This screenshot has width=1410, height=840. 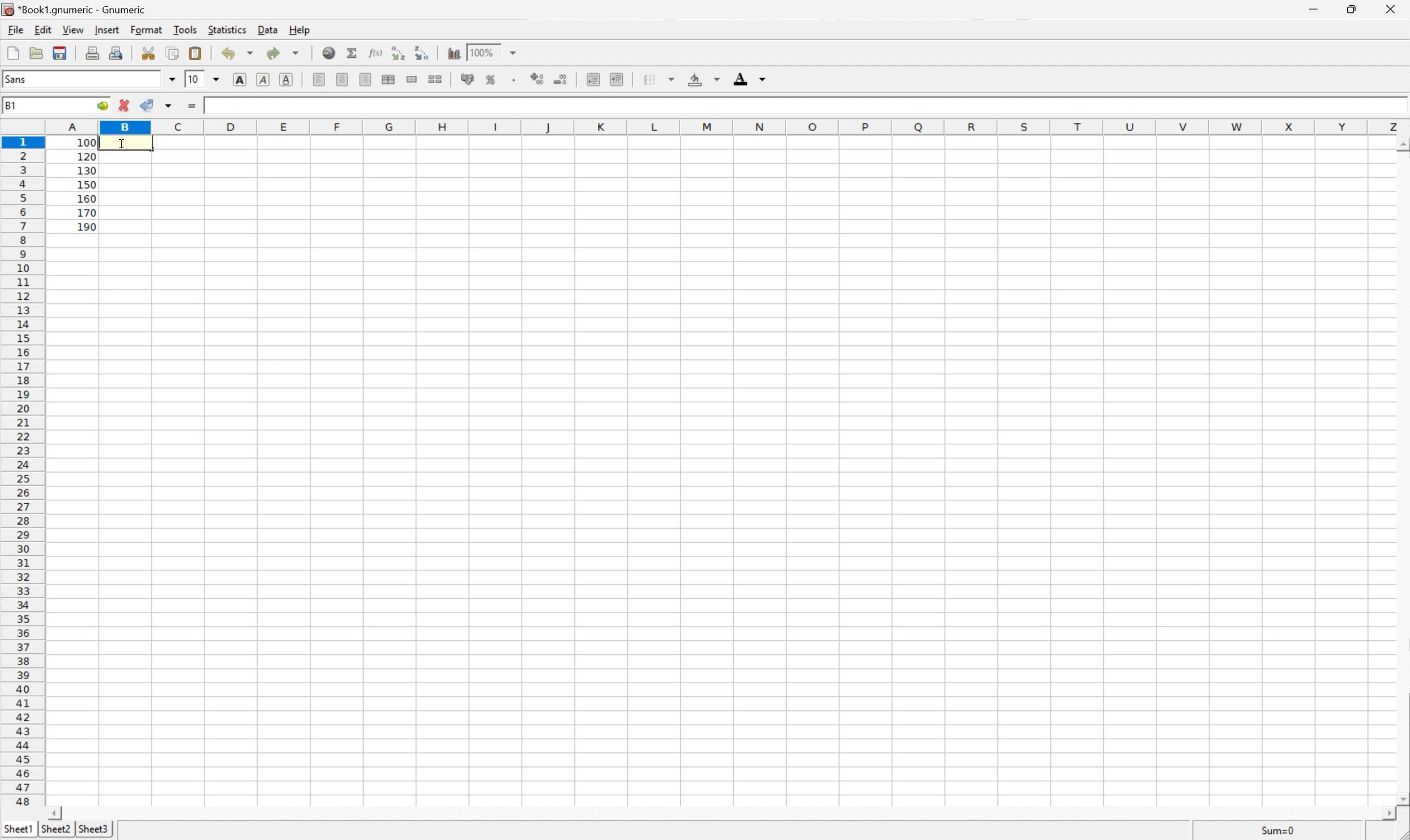 What do you see at coordinates (103, 106) in the screenshot?
I see `Go to` at bounding box center [103, 106].